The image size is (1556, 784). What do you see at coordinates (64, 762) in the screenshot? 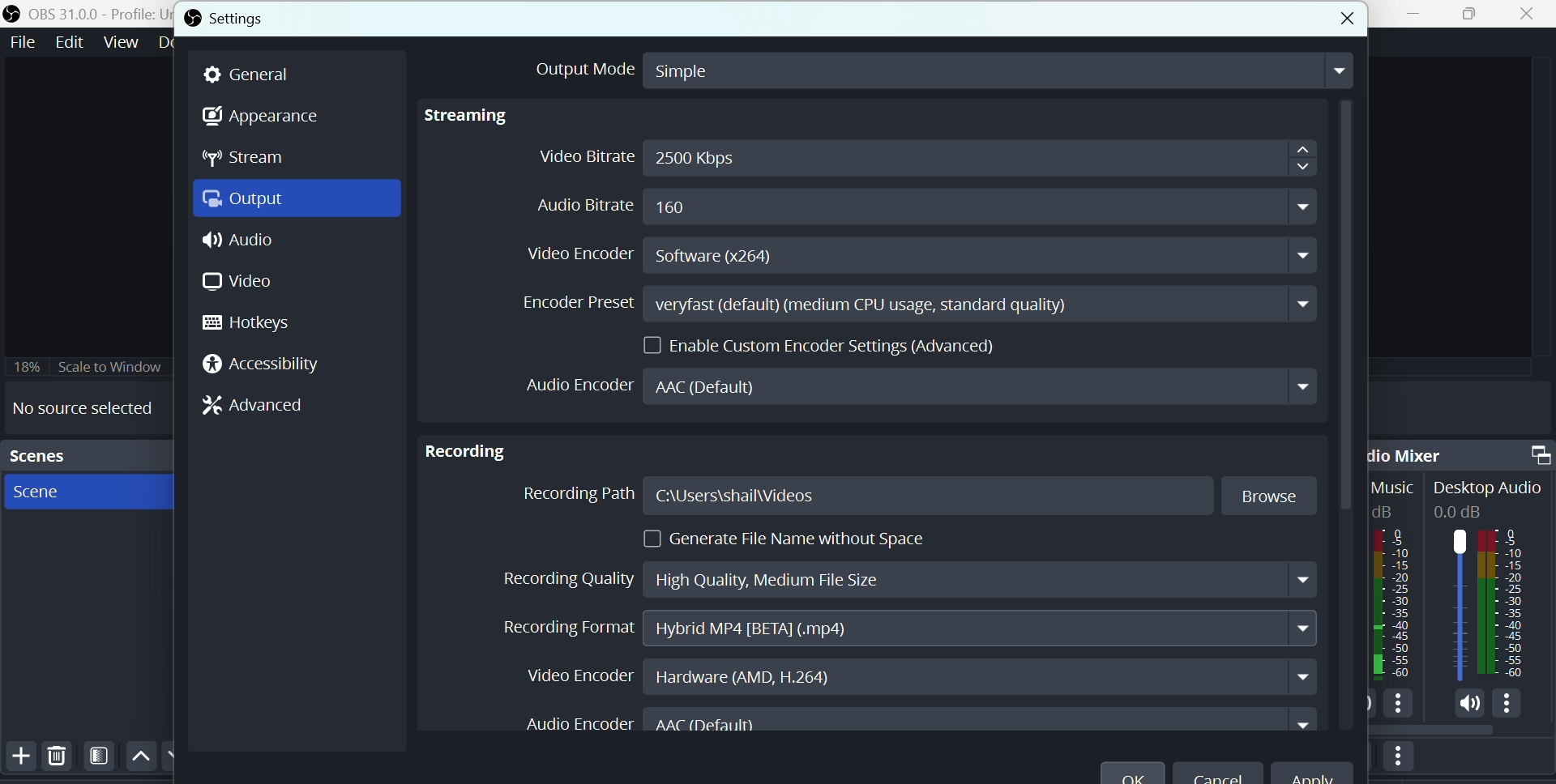
I see `Delete` at bounding box center [64, 762].